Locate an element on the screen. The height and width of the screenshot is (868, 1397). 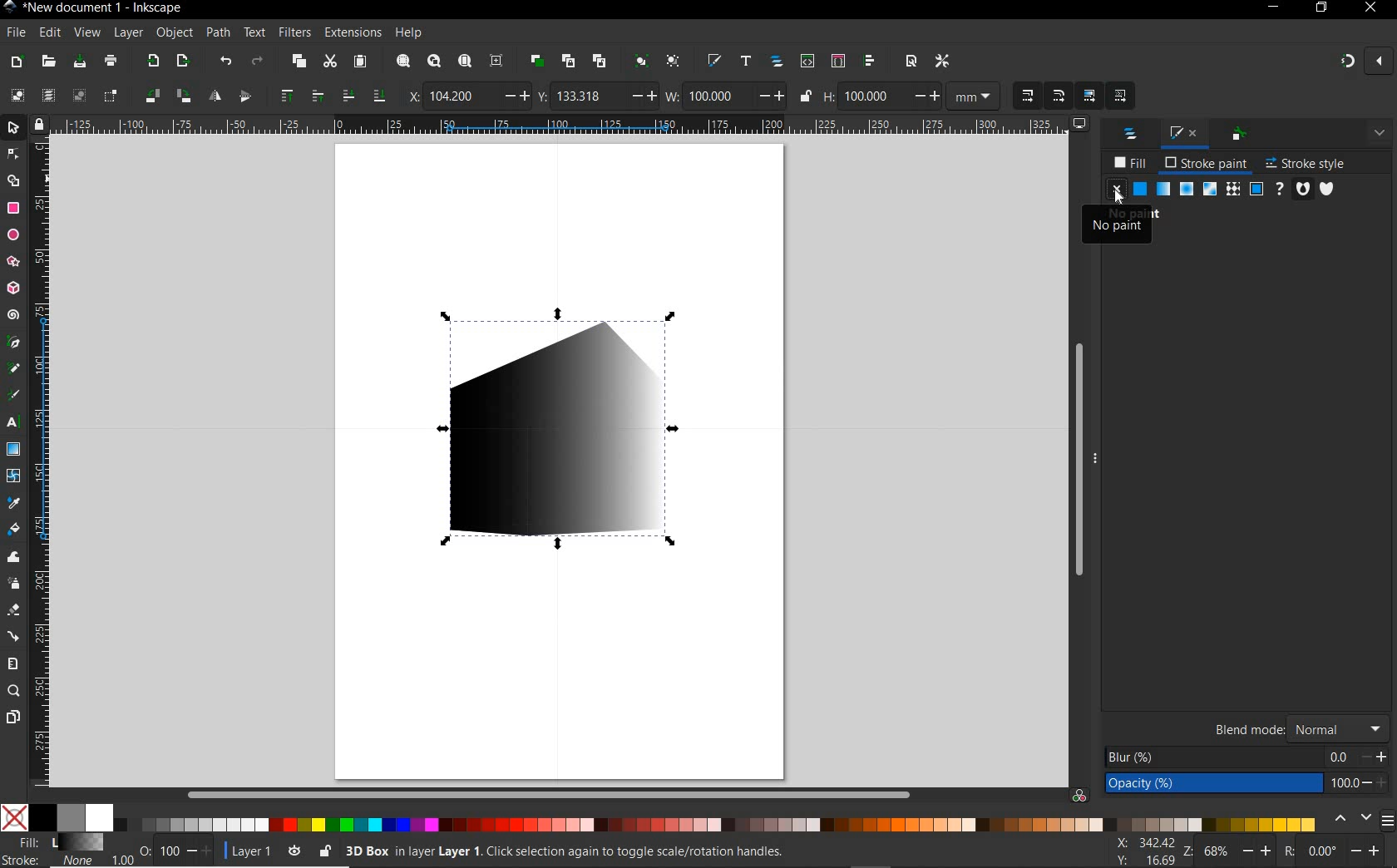
OBJECT WITH STROKE SELECTED is located at coordinates (570, 423).